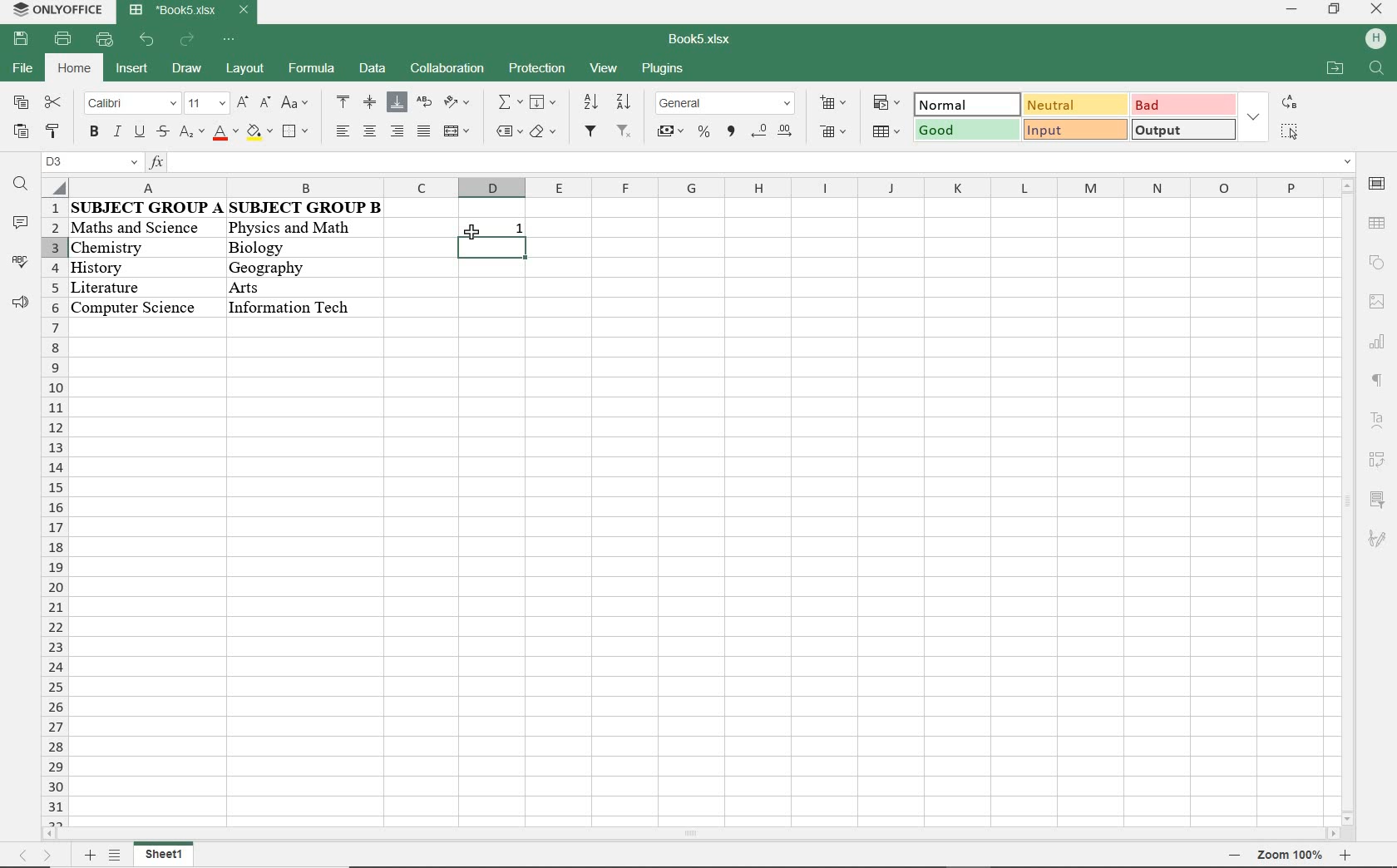 The image size is (1397, 868). What do you see at coordinates (191, 132) in the screenshot?
I see `subscript/superscript` at bounding box center [191, 132].